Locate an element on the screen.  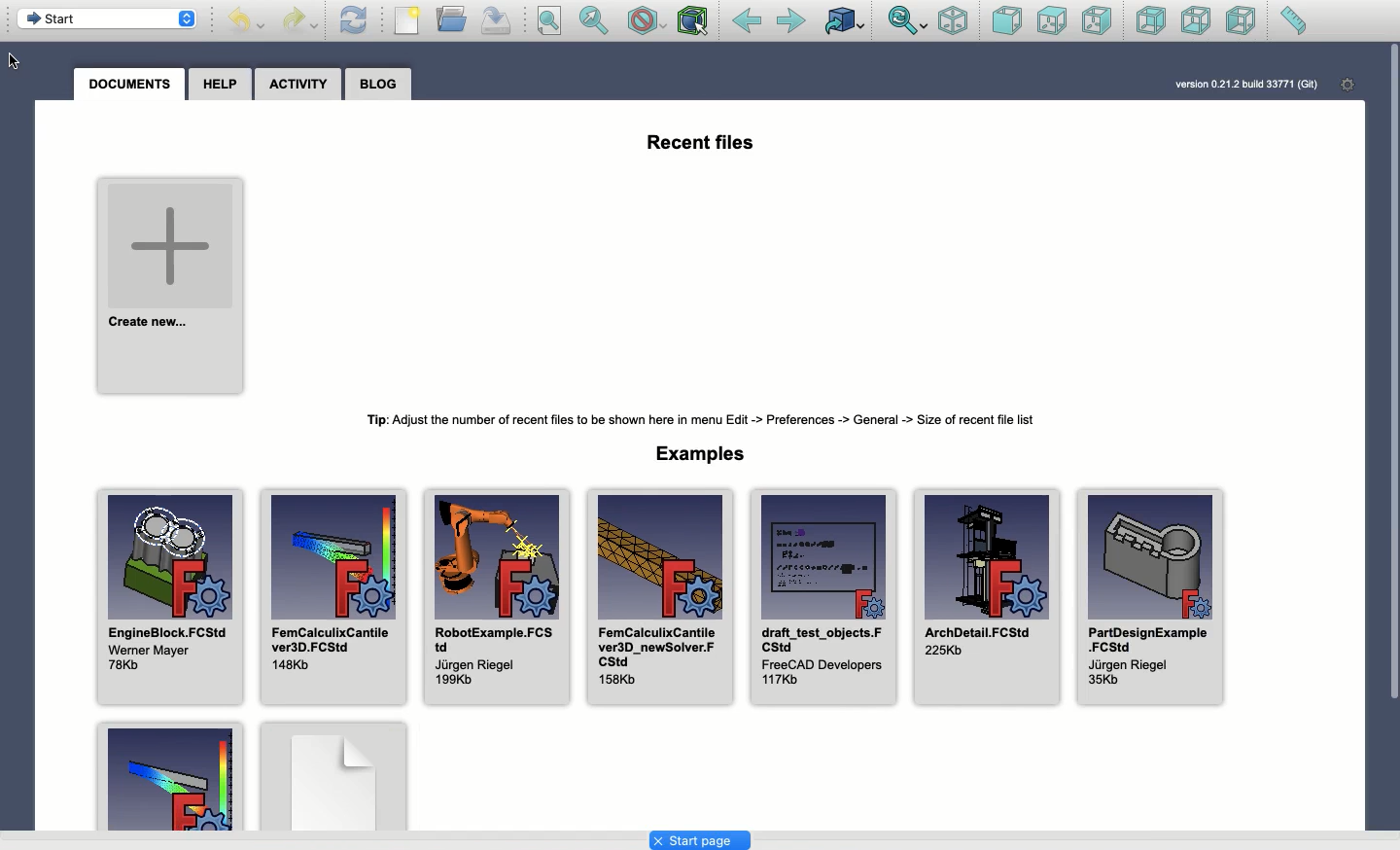
Start page is located at coordinates (700, 840).